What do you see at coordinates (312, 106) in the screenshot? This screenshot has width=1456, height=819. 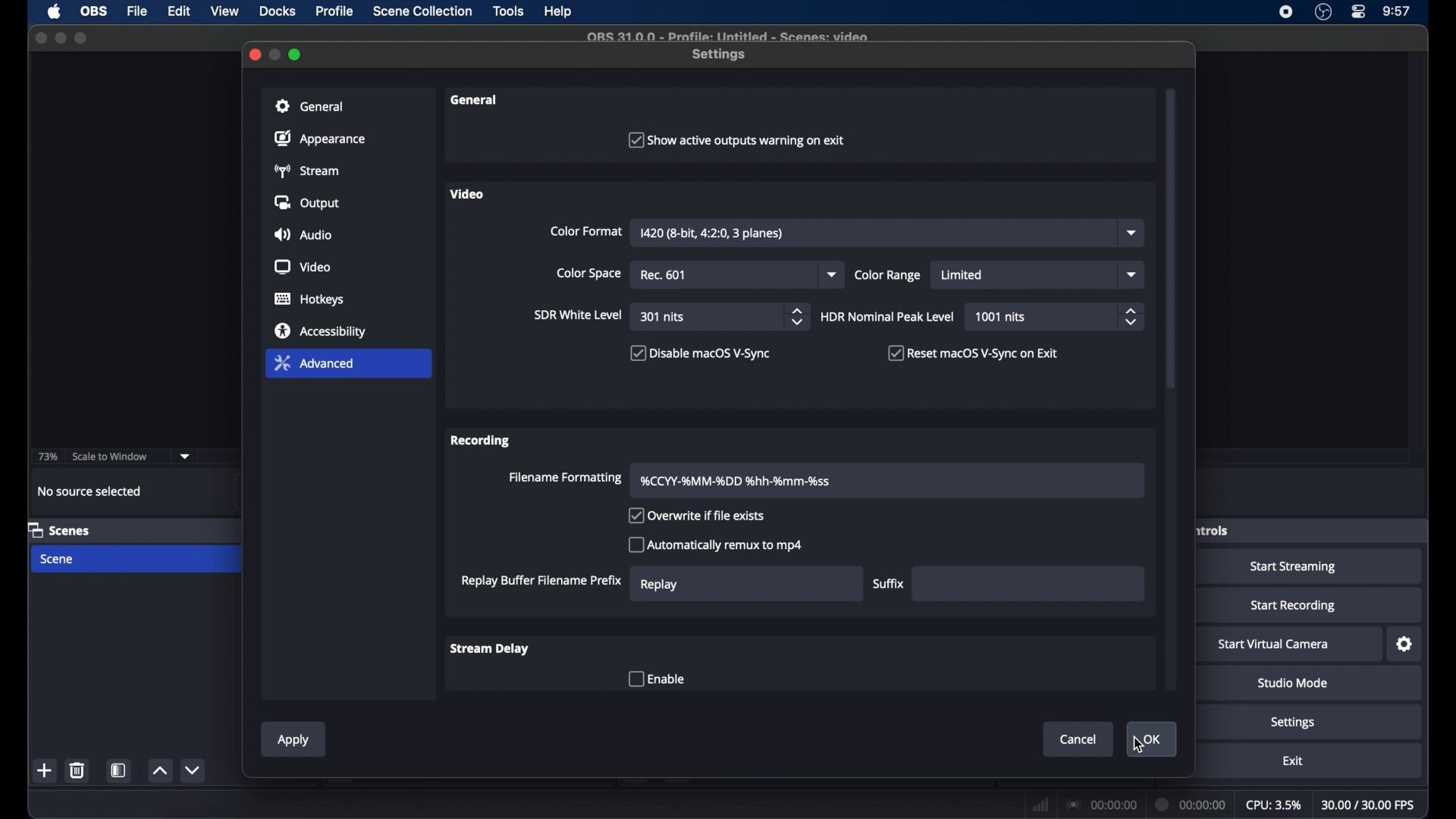 I see `general` at bounding box center [312, 106].